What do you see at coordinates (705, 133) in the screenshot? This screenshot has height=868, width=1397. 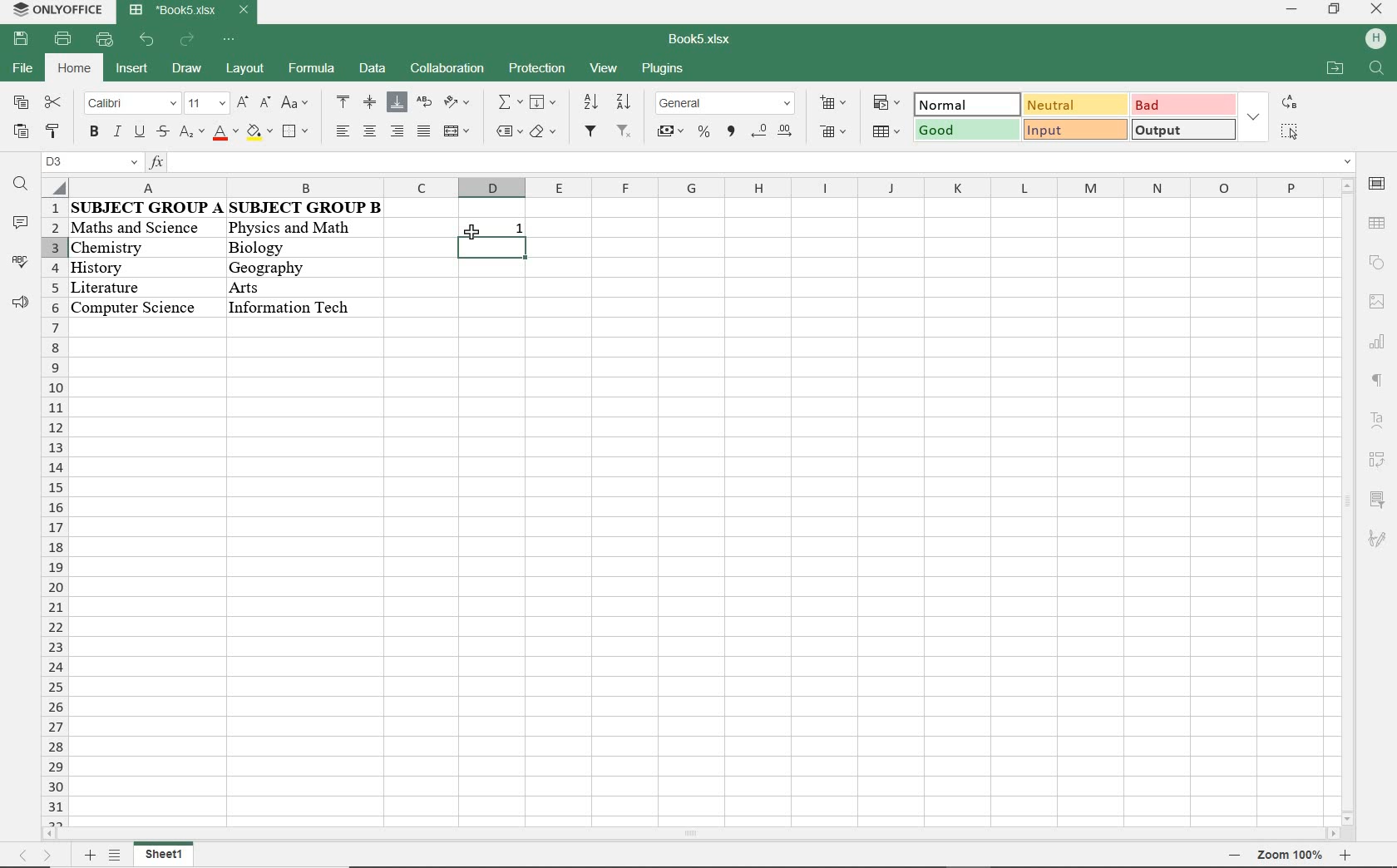 I see `percent style` at bounding box center [705, 133].